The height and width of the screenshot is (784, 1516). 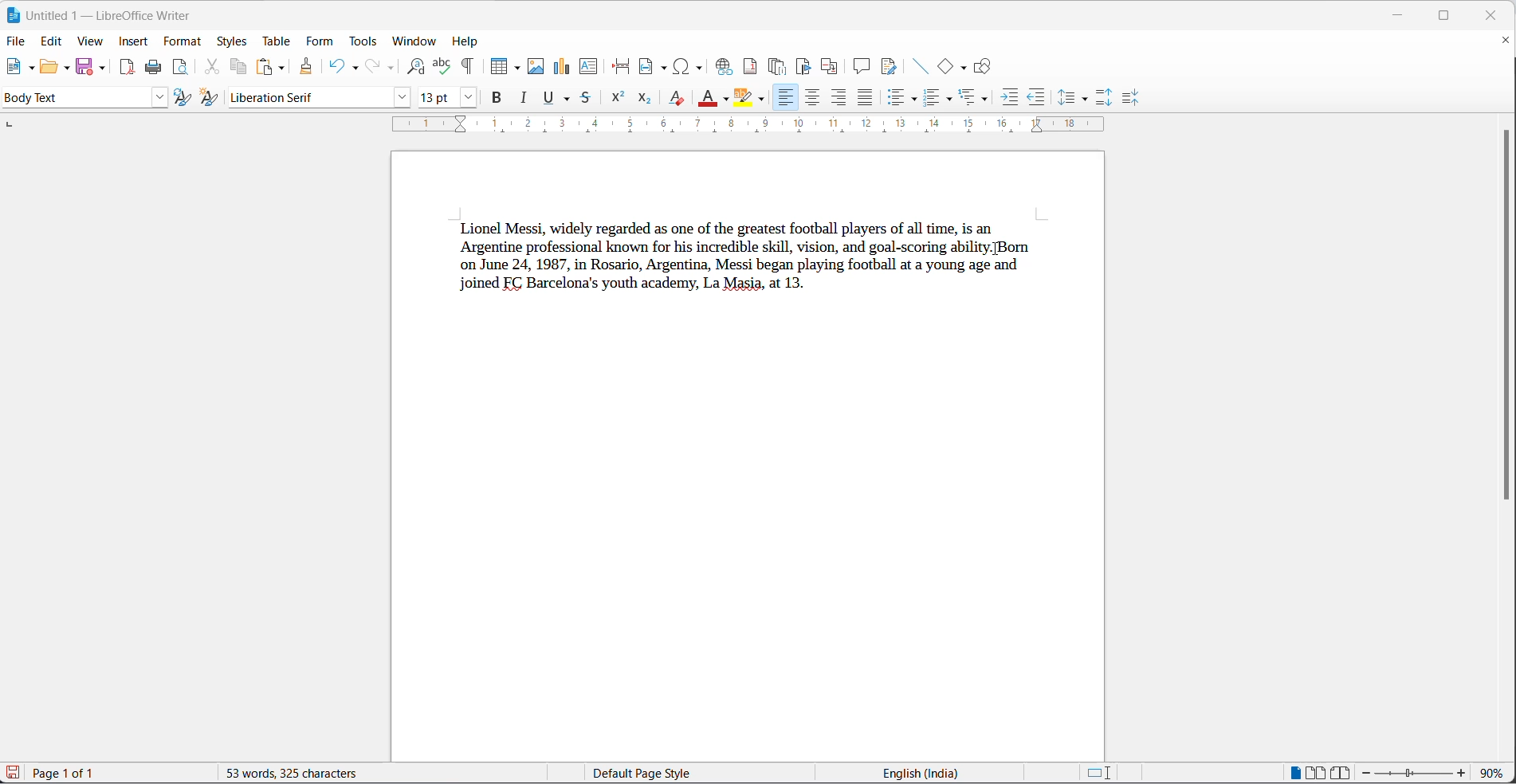 I want to click on superscript, so click(x=618, y=96).